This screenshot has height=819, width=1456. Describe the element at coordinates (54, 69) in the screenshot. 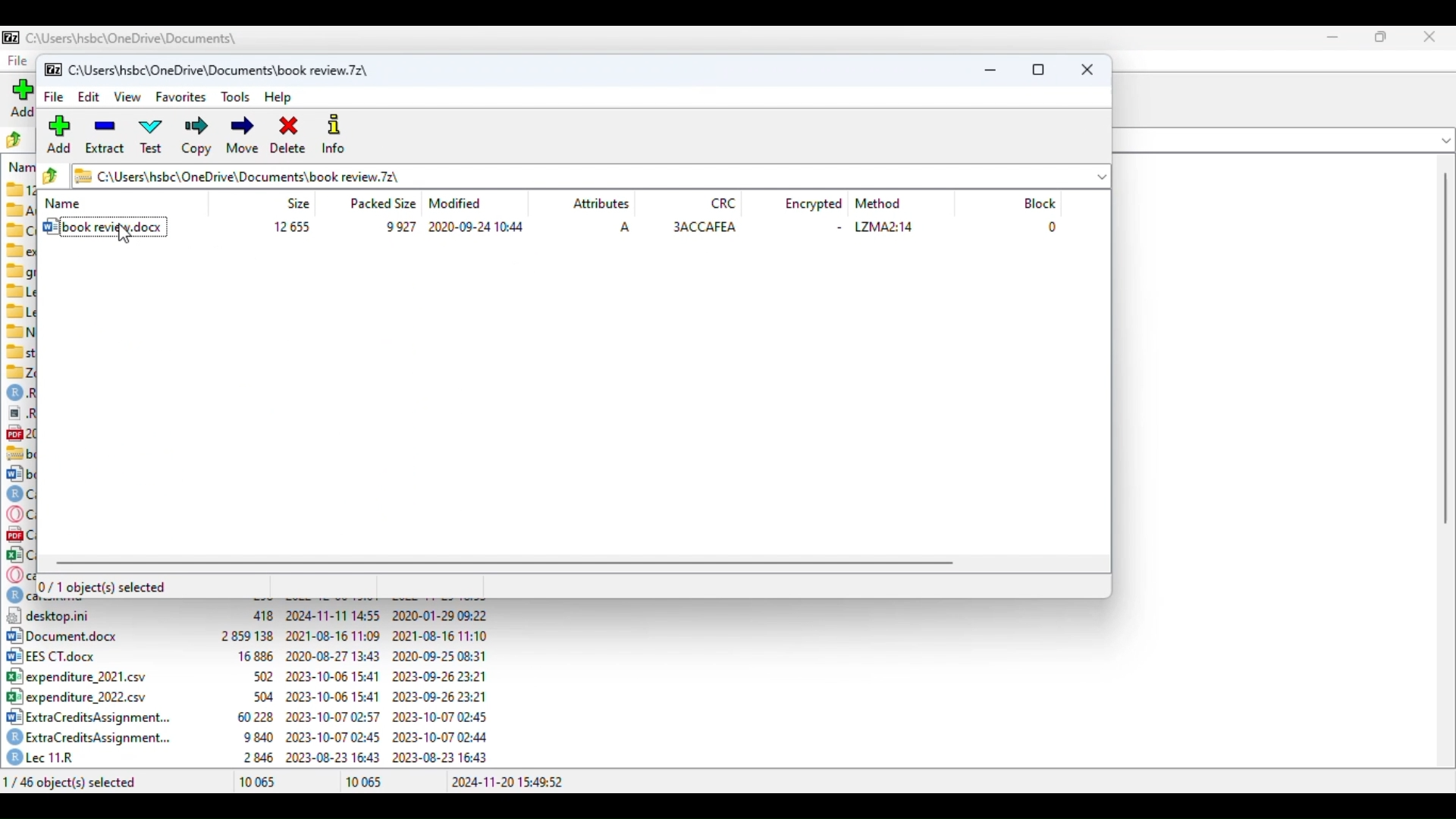

I see `logo` at that location.